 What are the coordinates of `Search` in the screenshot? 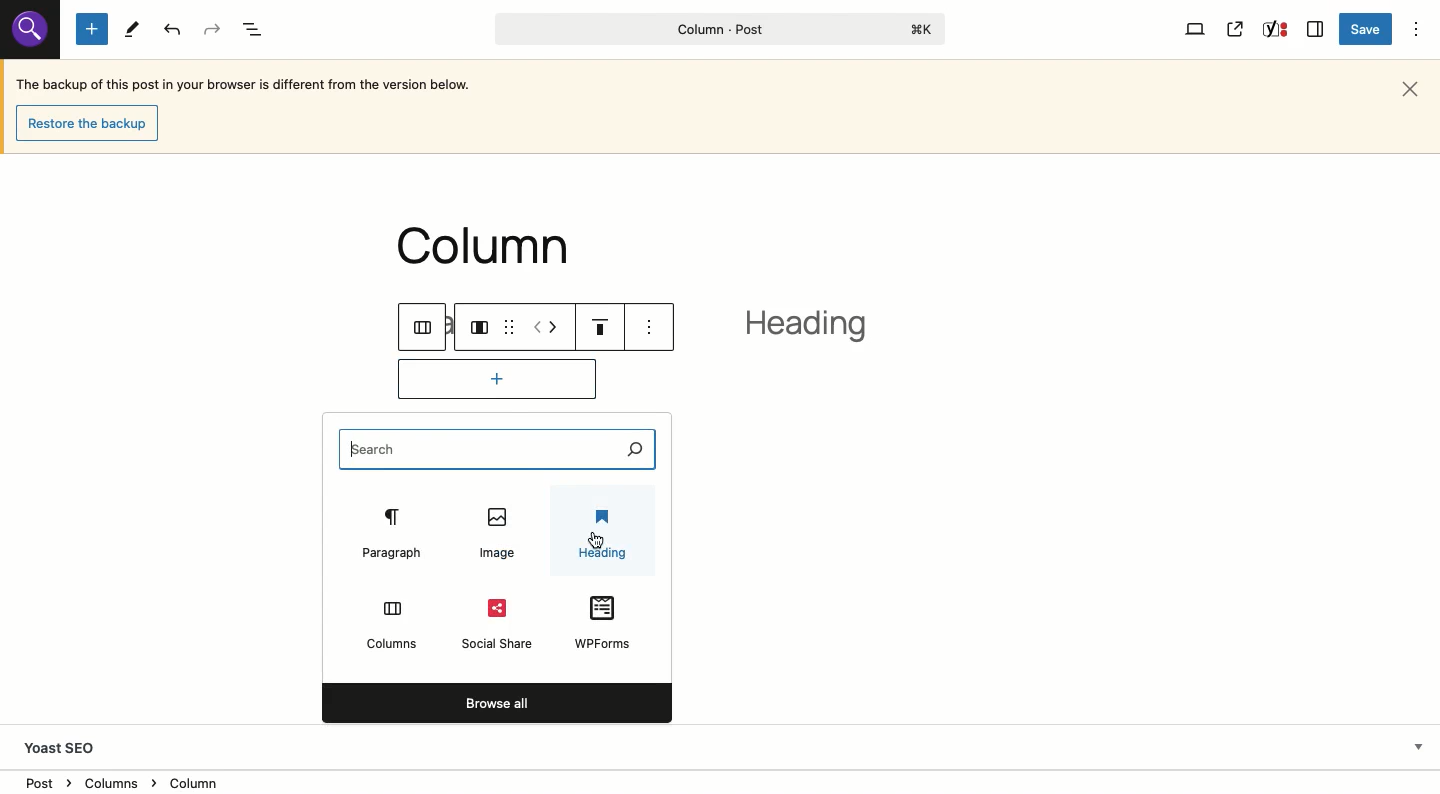 It's located at (491, 448).